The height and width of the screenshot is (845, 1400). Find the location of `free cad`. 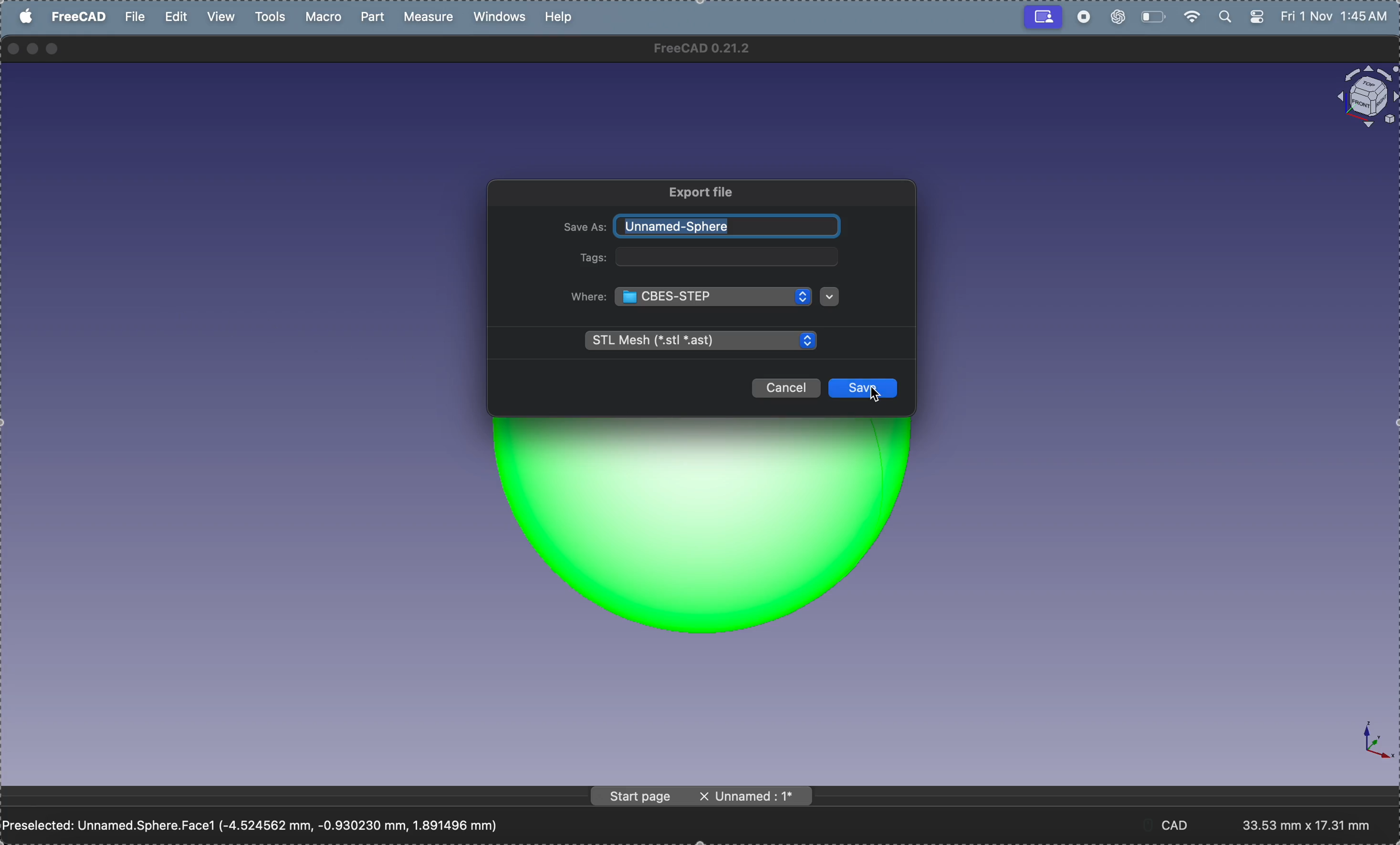

free cad is located at coordinates (80, 19).